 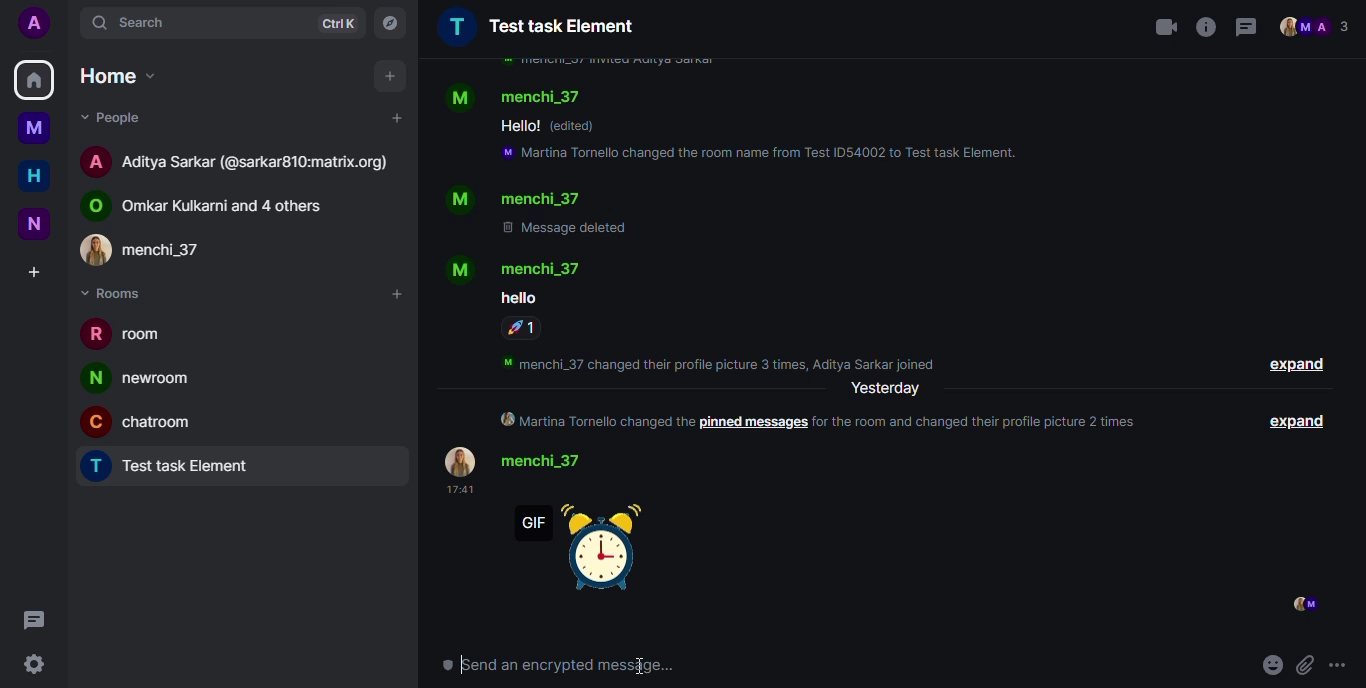 What do you see at coordinates (117, 118) in the screenshot?
I see `people drop down` at bounding box center [117, 118].